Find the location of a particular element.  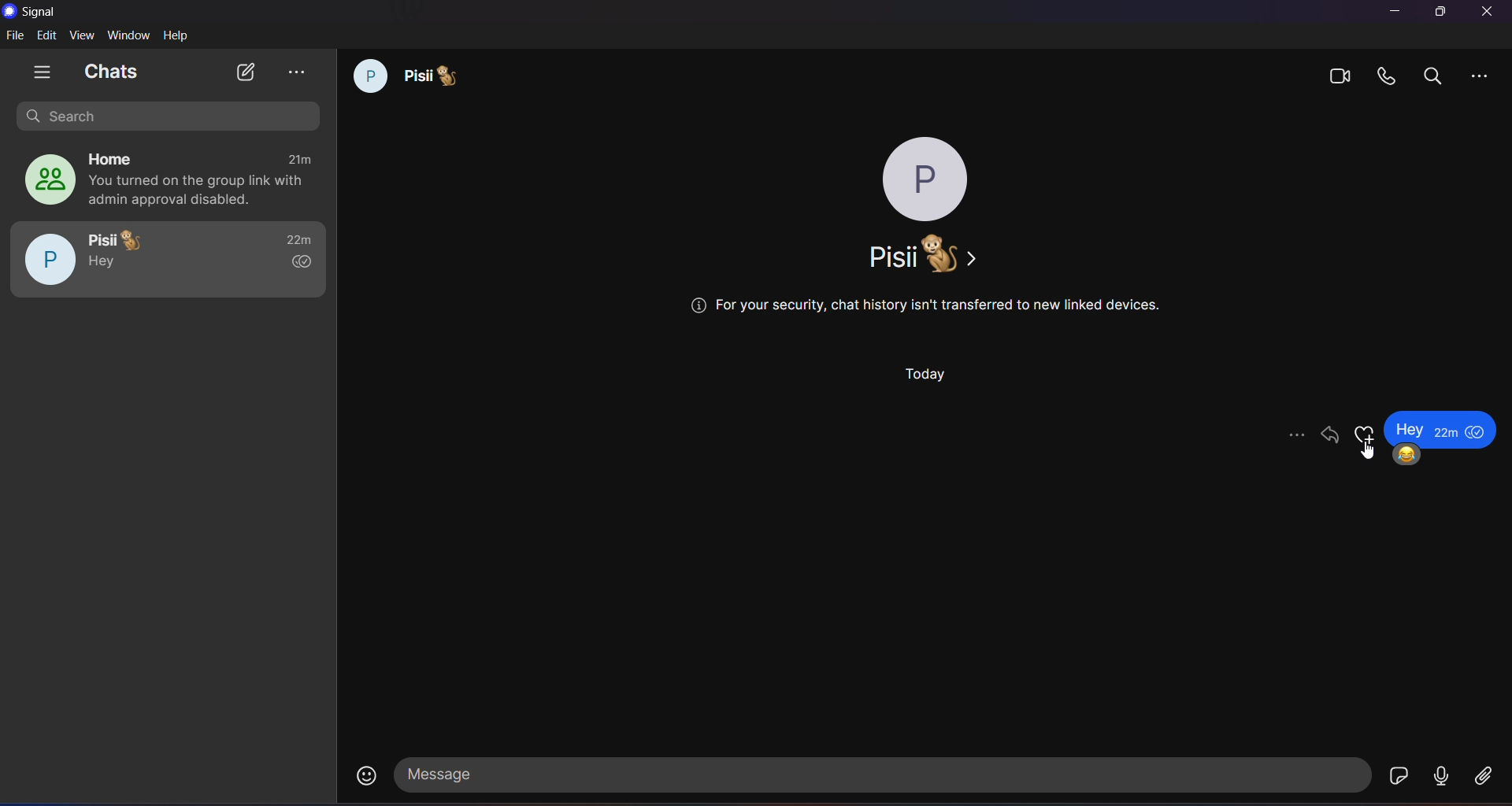

close is located at coordinates (1491, 10).